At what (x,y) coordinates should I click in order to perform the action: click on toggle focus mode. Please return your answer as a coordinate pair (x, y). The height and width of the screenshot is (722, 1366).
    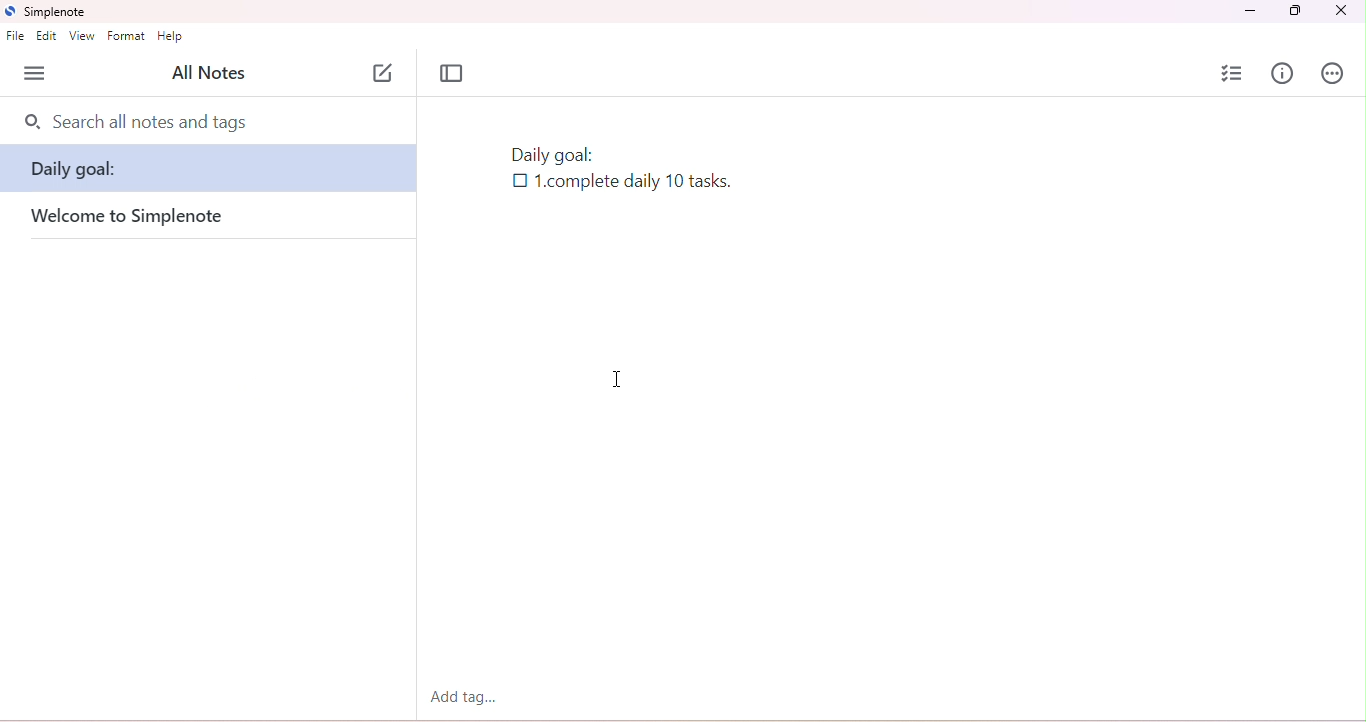
    Looking at the image, I should click on (452, 74).